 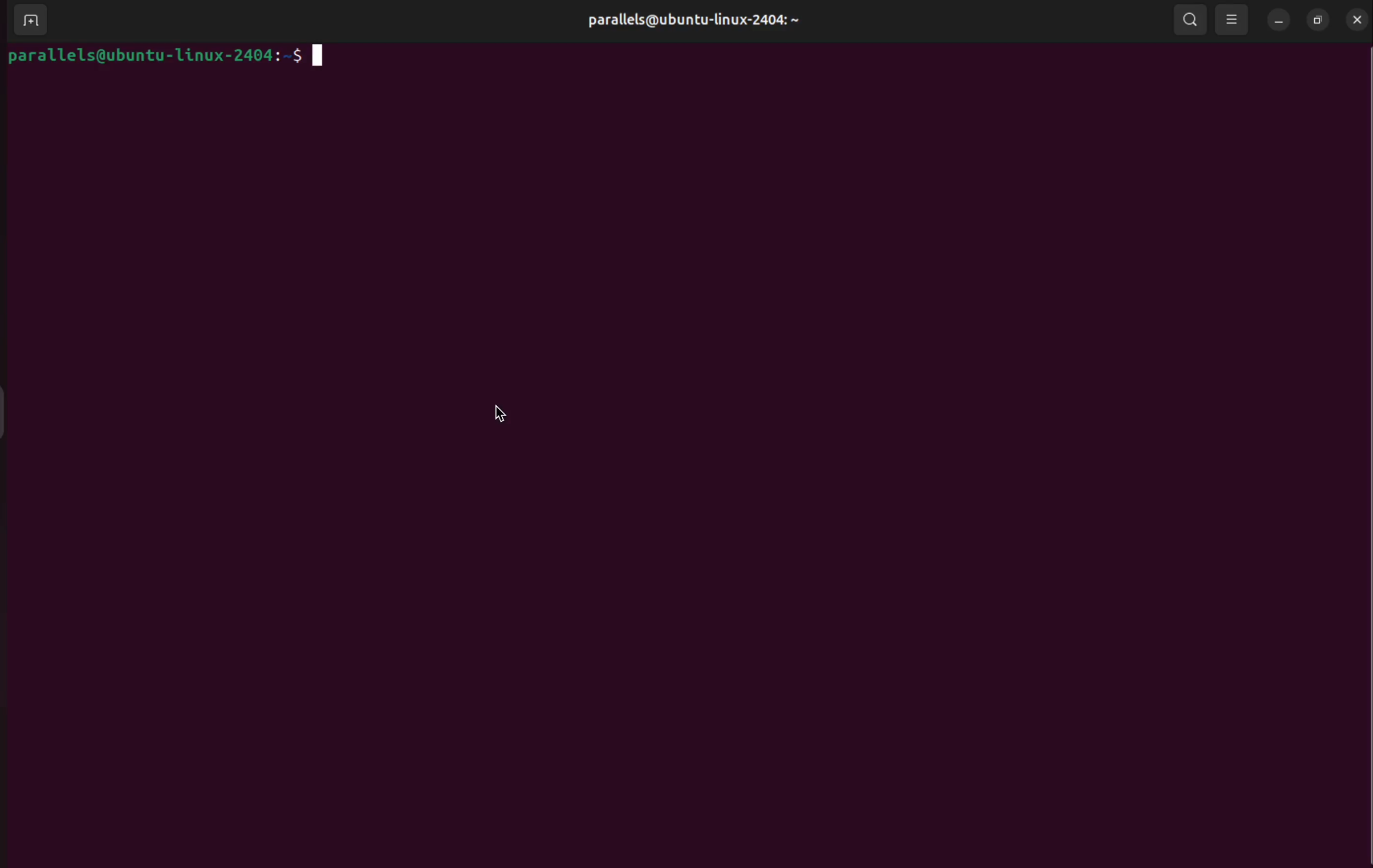 What do you see at coordinates (1278, 20) in the screenshot?
I see `minimize` at bounding box center [1278, 20].